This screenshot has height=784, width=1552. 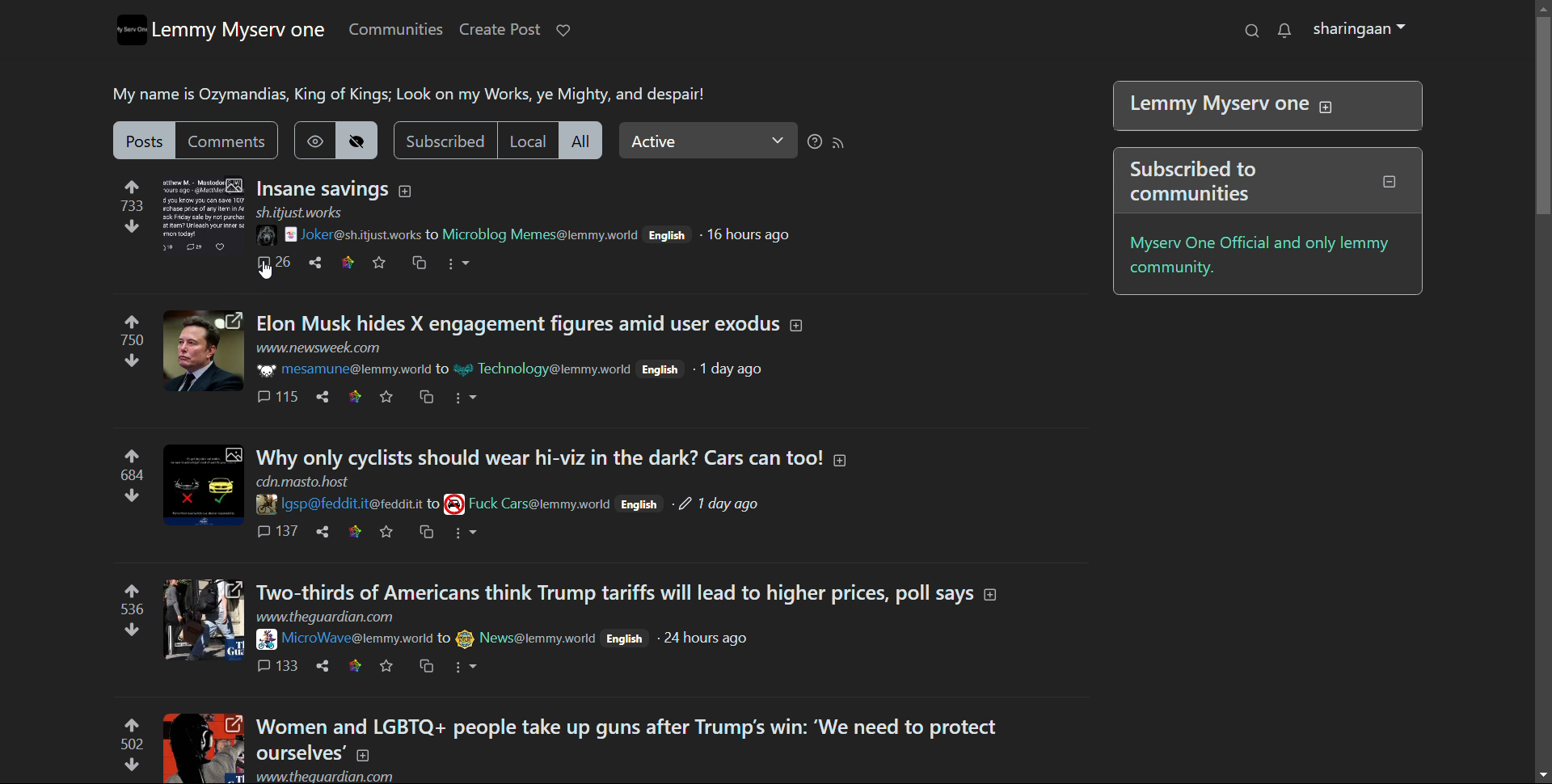 I want to click on image, so click(x=267, y=233).